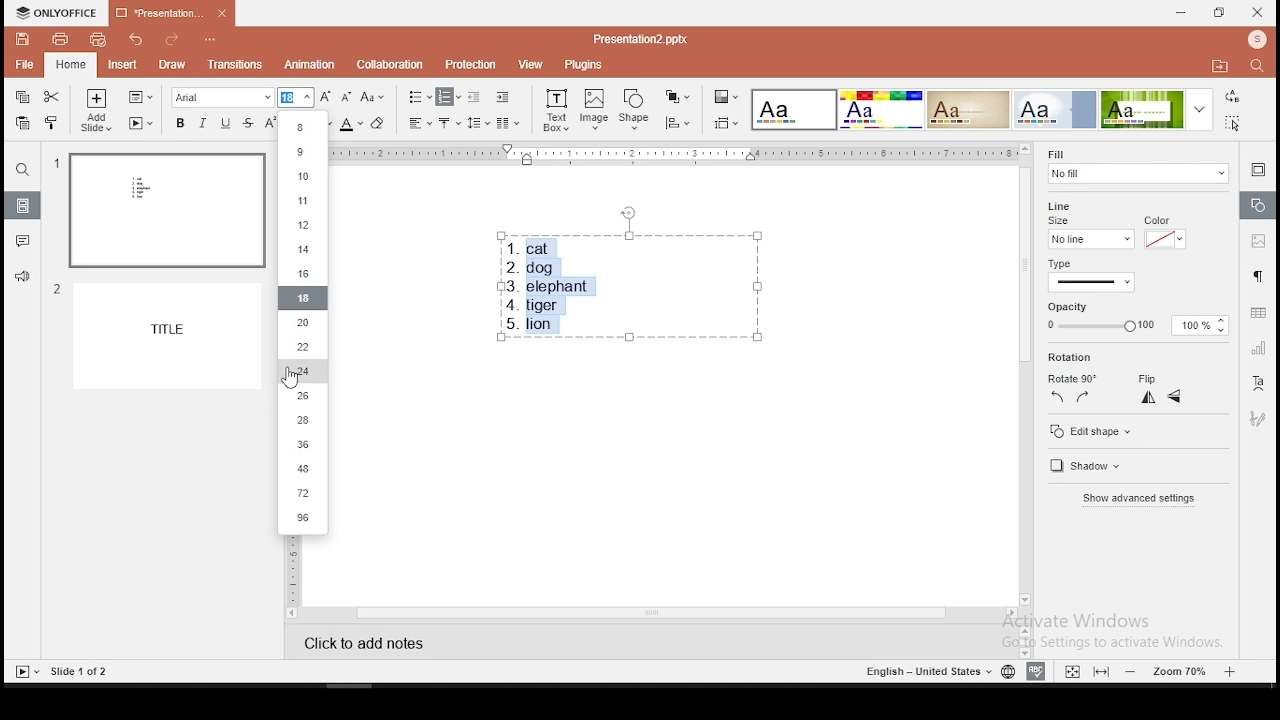 The height and width of the screenshot is (720, 1280). I want to click on paste, so click(22, 123).